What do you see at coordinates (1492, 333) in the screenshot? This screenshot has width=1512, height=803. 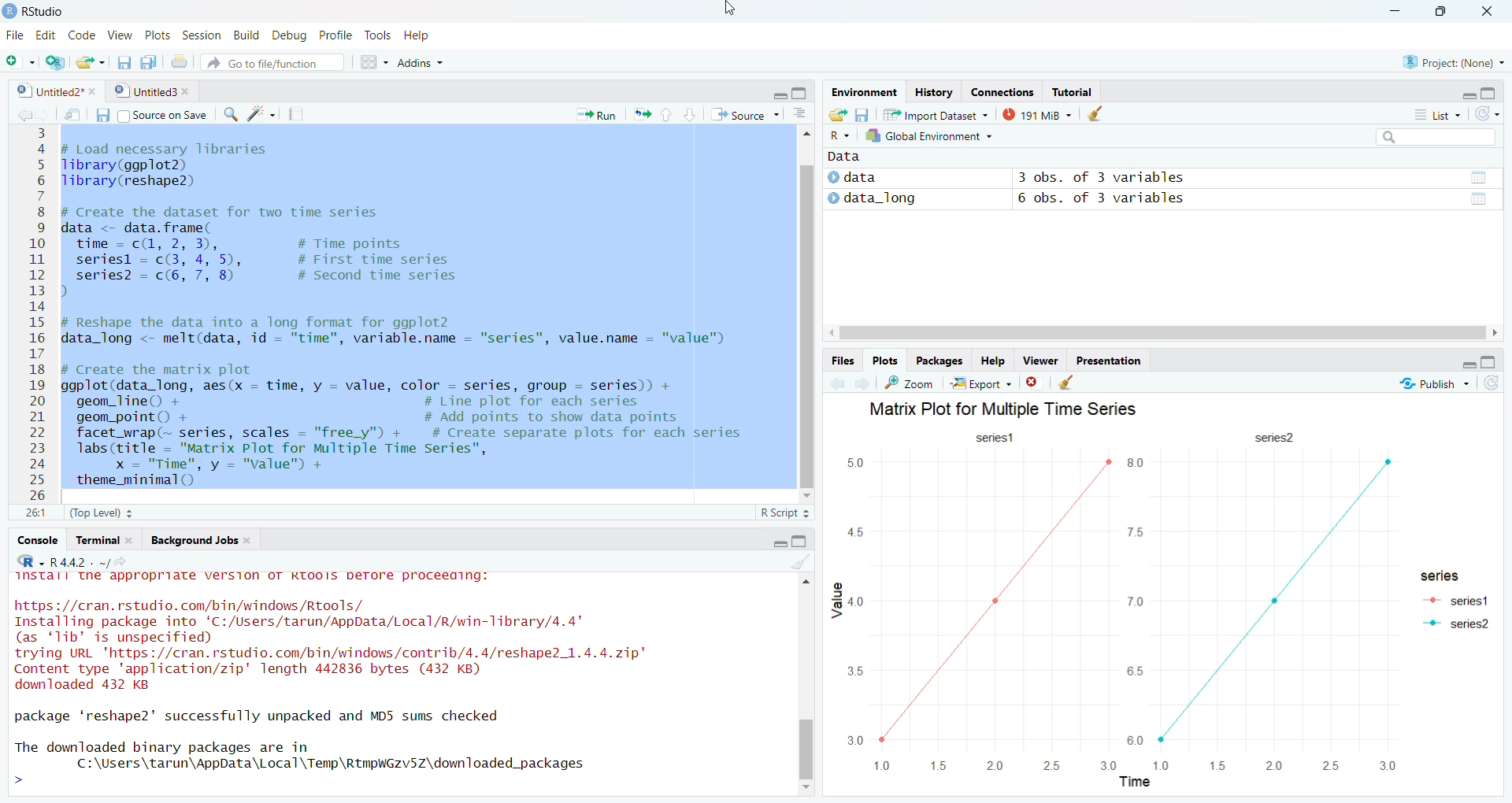 I see `Scroll left` at bounding box center [1492, 333].